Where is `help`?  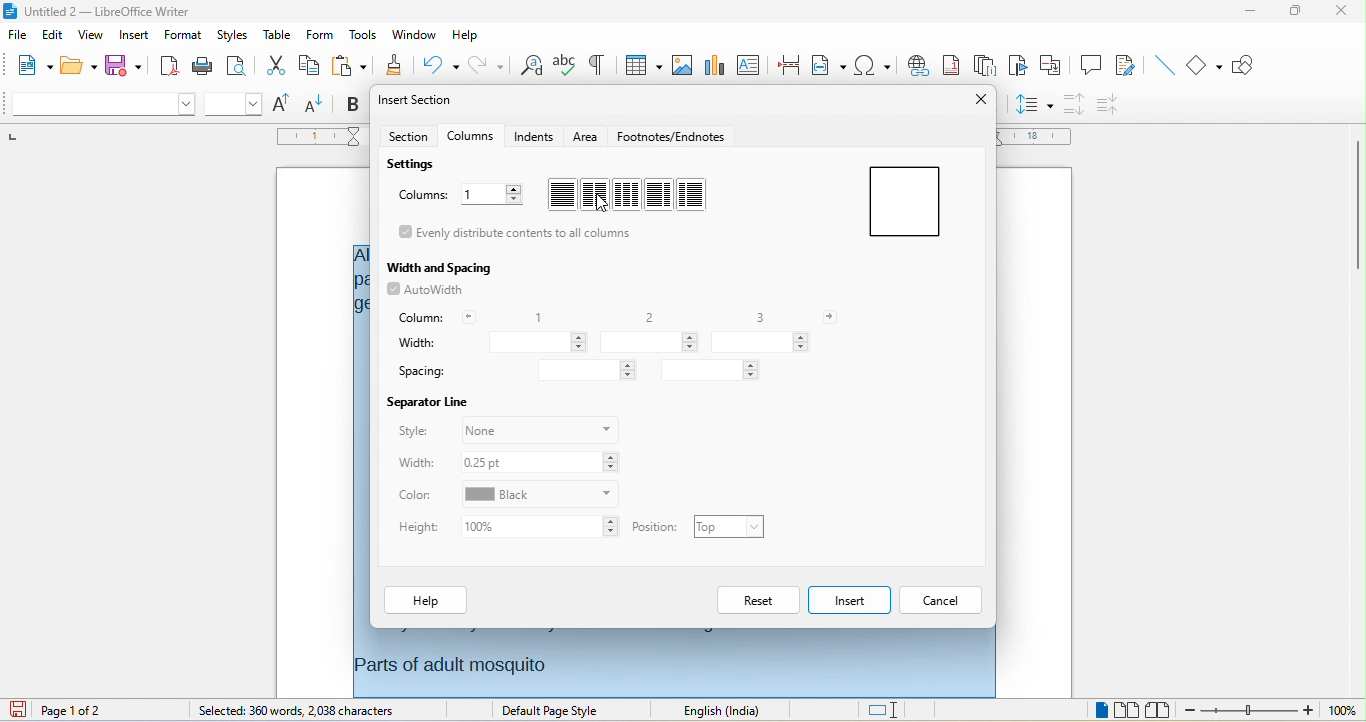
help is located at coordinates (463, 31).